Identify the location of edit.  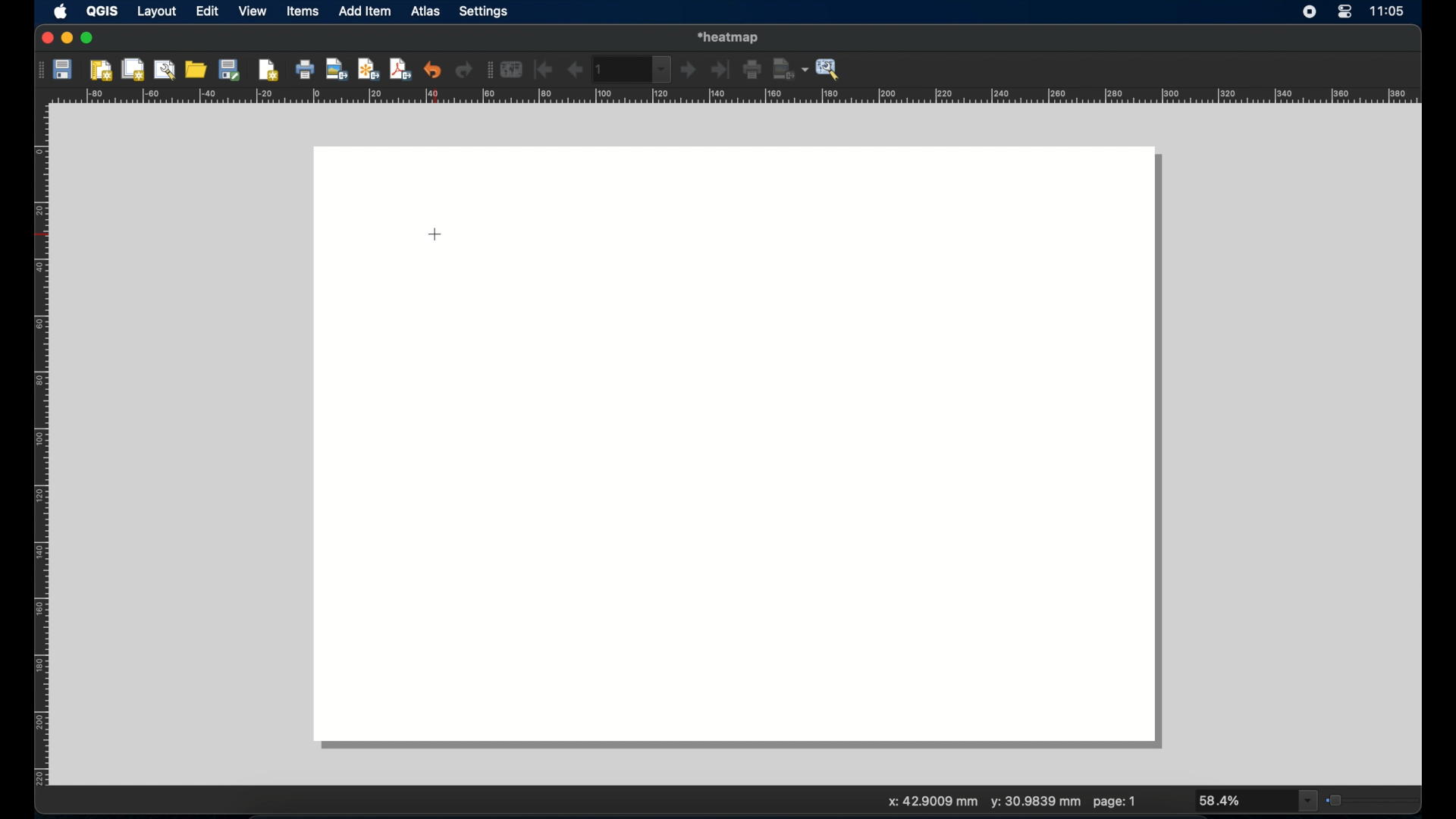
(207, 12).